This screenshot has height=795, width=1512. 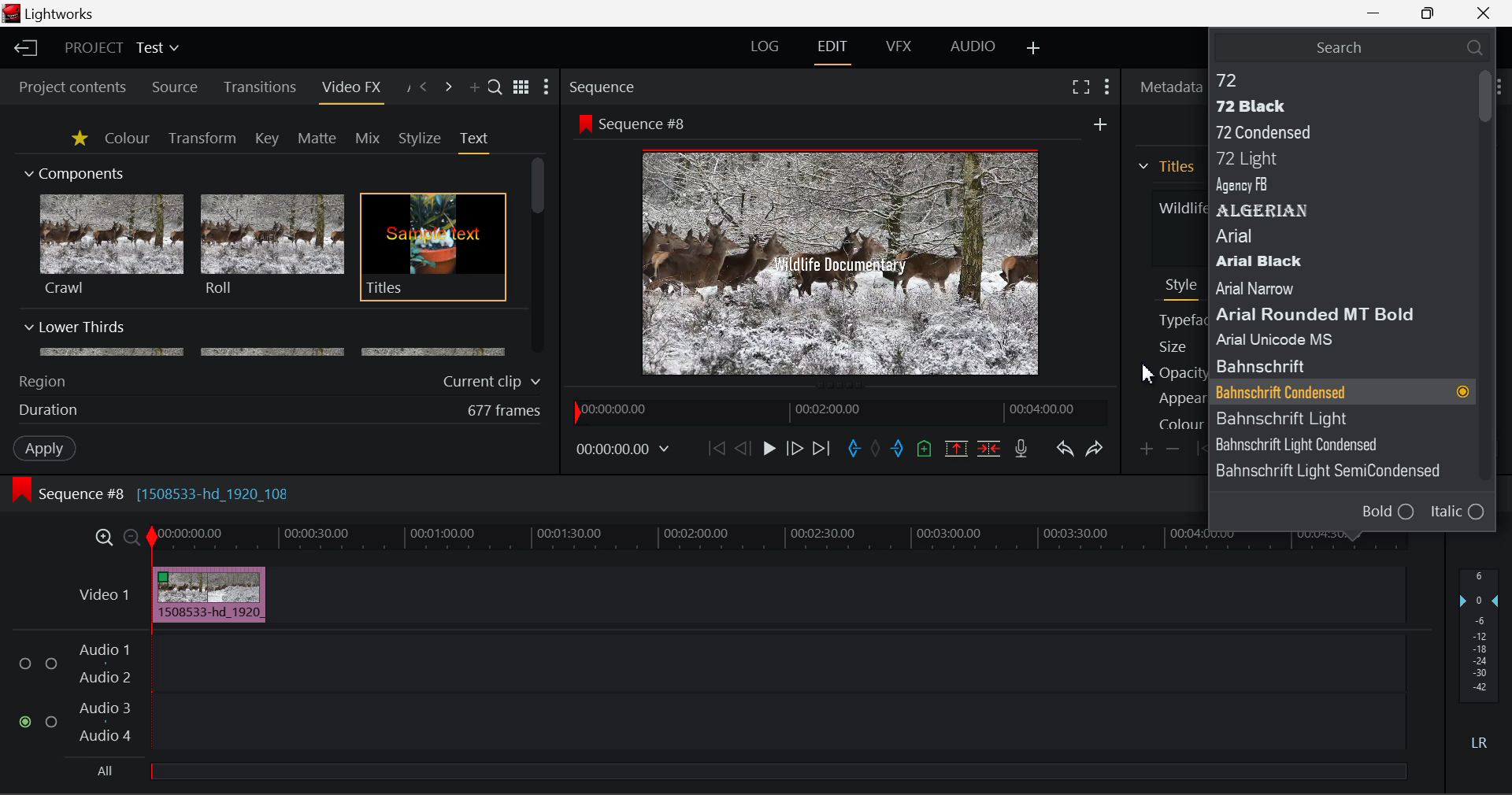 I want to click on Text Tab Open, so click(x=478, y=142).